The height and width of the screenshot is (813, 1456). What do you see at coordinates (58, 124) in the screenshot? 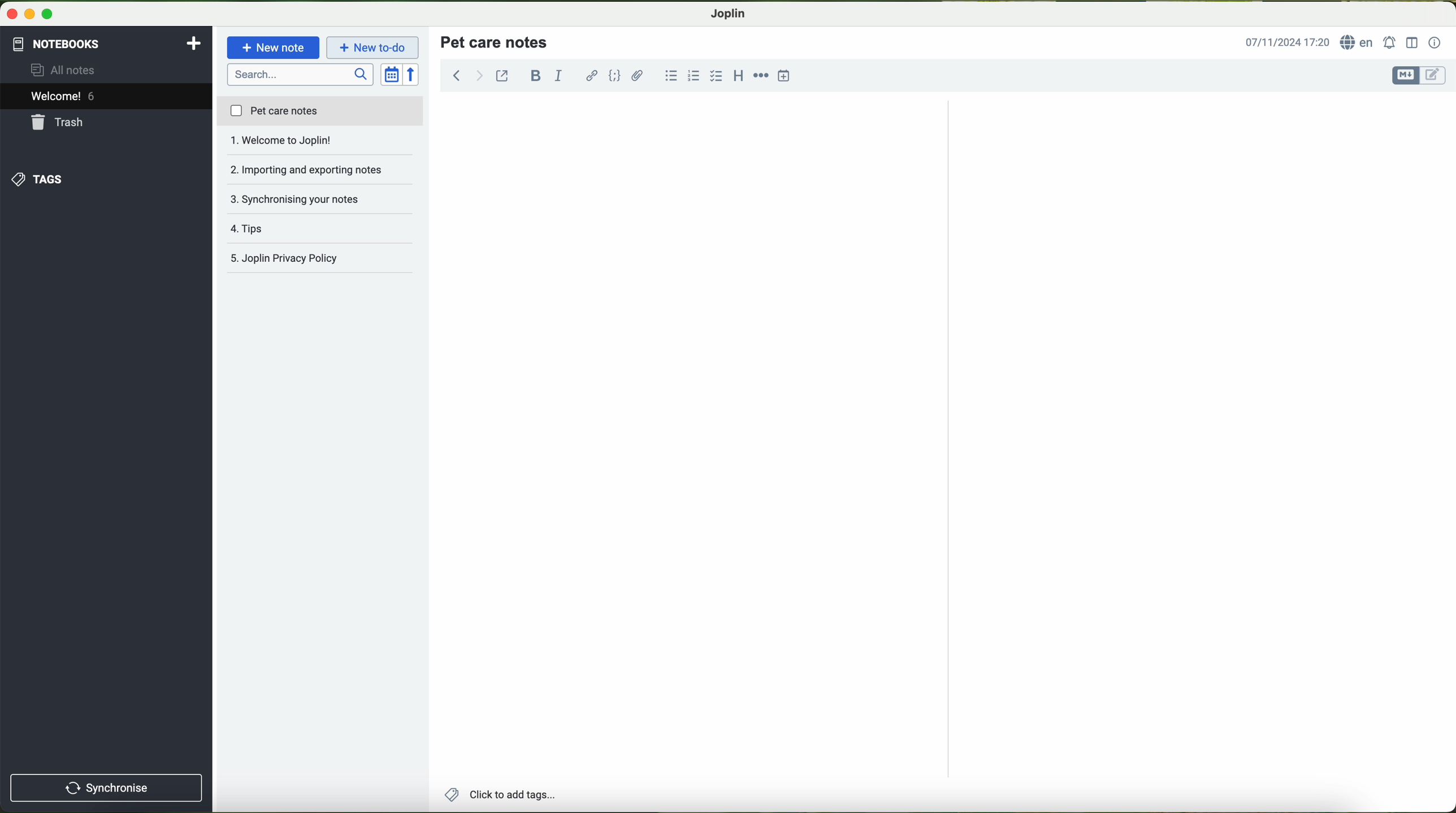
I see `trash` at bounding box center [58, 124].